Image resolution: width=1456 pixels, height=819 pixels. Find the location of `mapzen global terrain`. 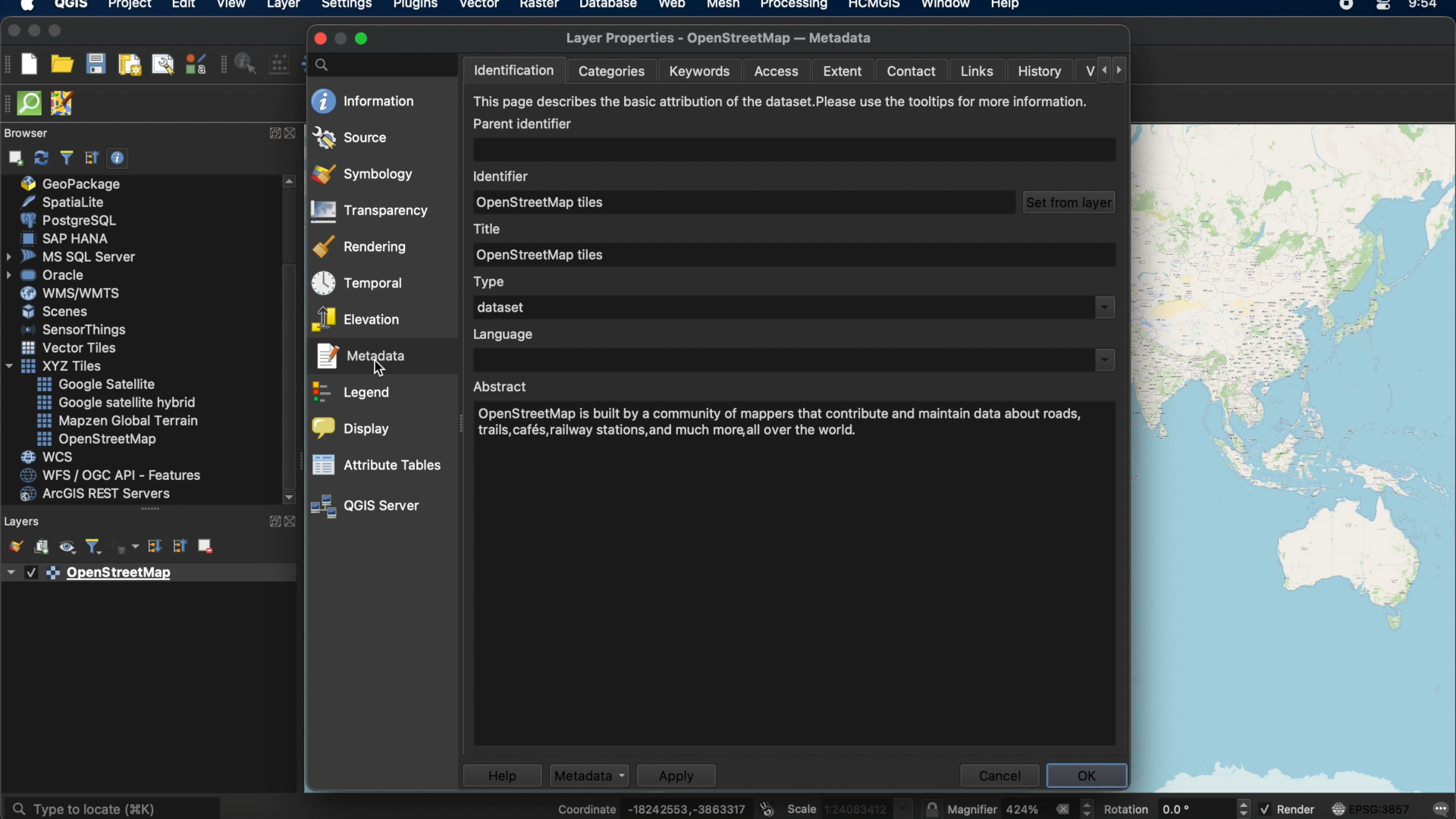

mapzen global terrain is located at coordinates (116, 421).